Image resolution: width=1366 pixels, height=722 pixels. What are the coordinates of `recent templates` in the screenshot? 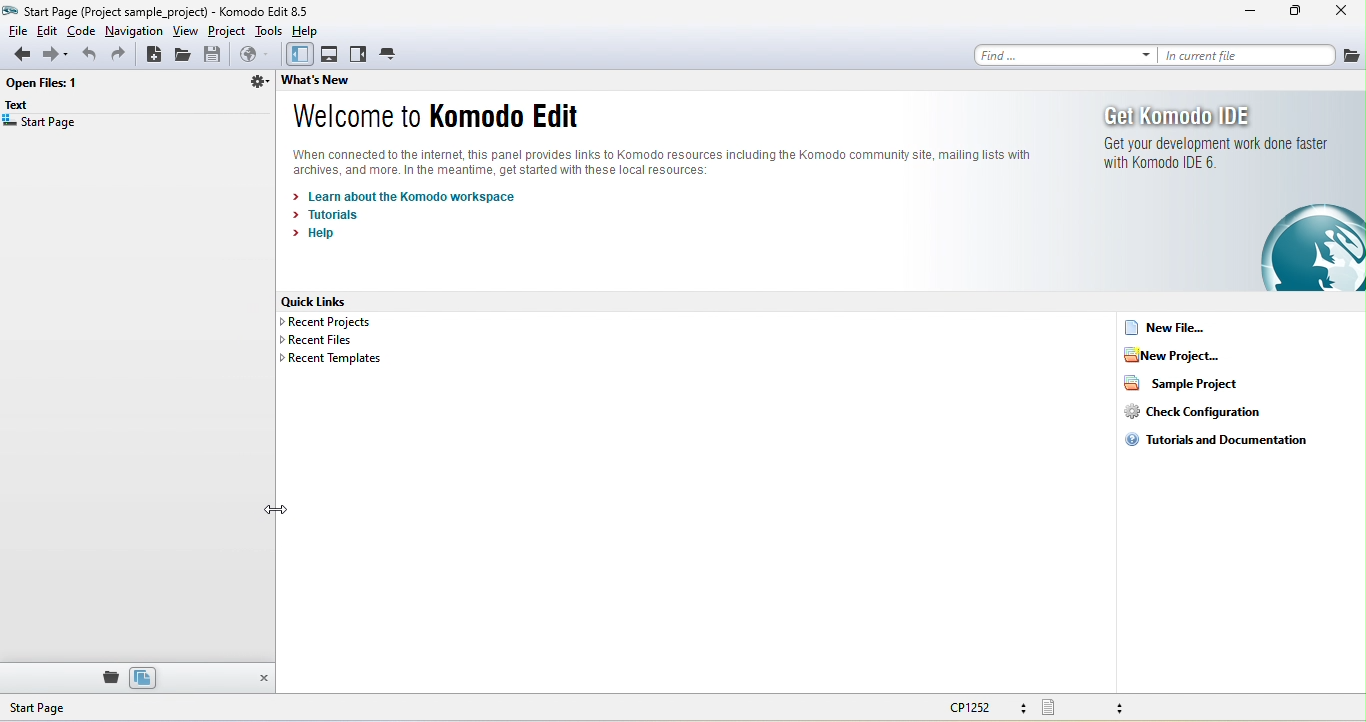 It's located at (330, 360).